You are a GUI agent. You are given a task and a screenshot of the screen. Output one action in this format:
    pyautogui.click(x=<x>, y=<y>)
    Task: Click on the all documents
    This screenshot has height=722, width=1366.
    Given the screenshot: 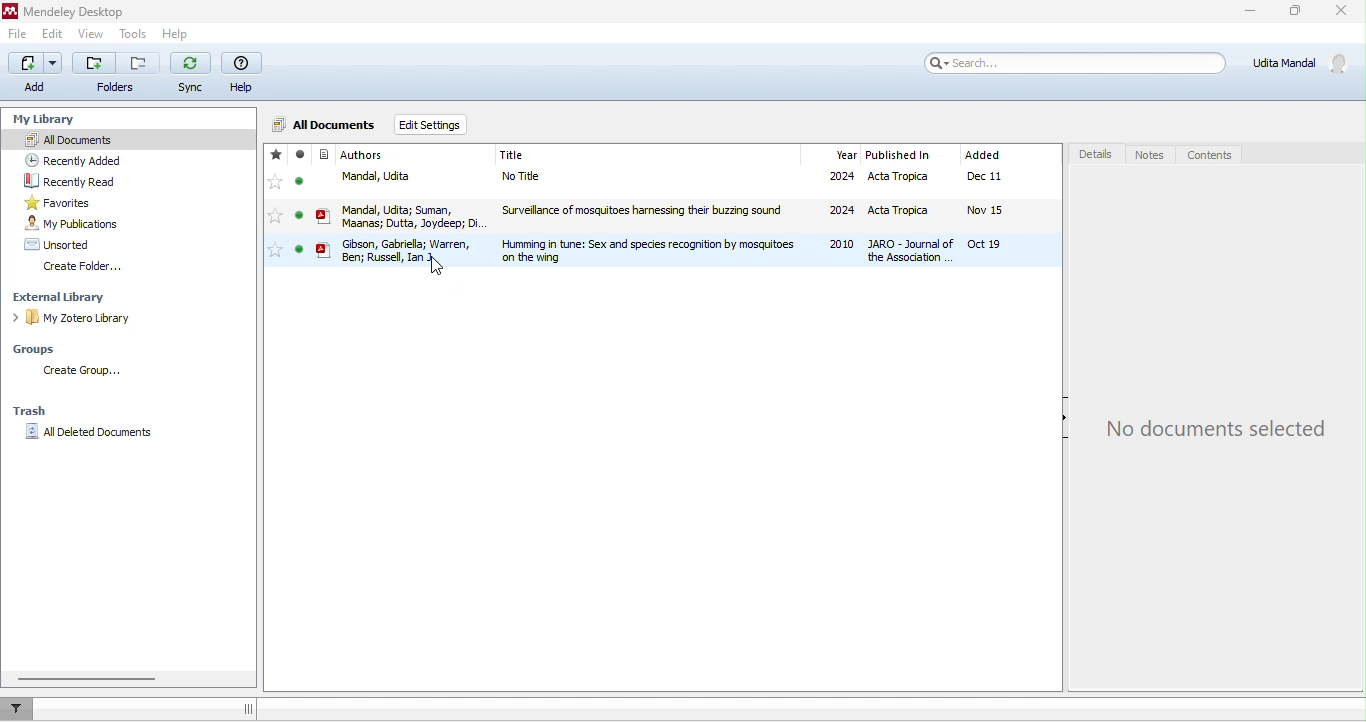 What is the action you would take?
    pyautogui.click(x=321, y=126)
    